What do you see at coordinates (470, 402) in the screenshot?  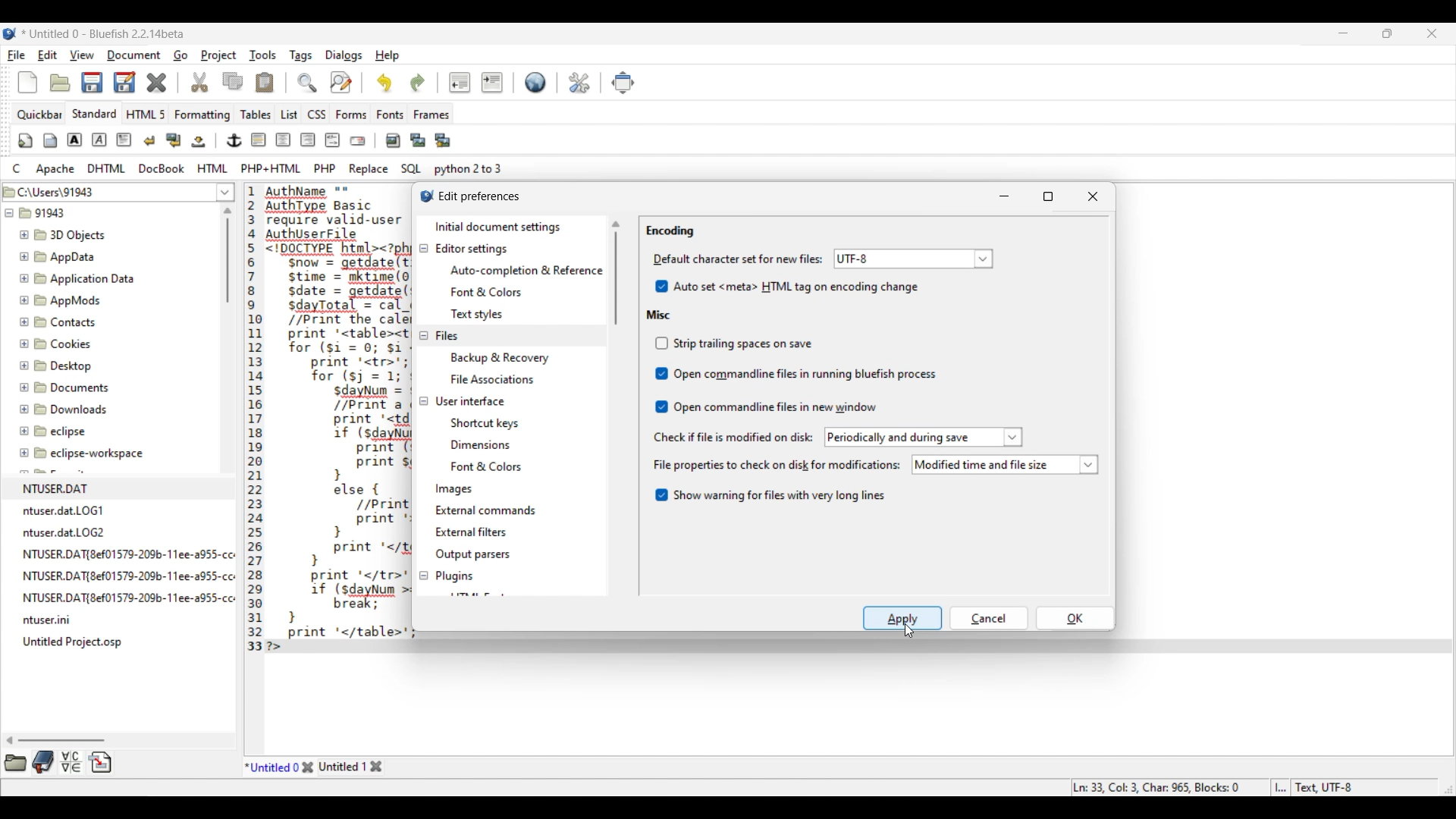 I see `User interface settings` at bounding box center [470, 402].